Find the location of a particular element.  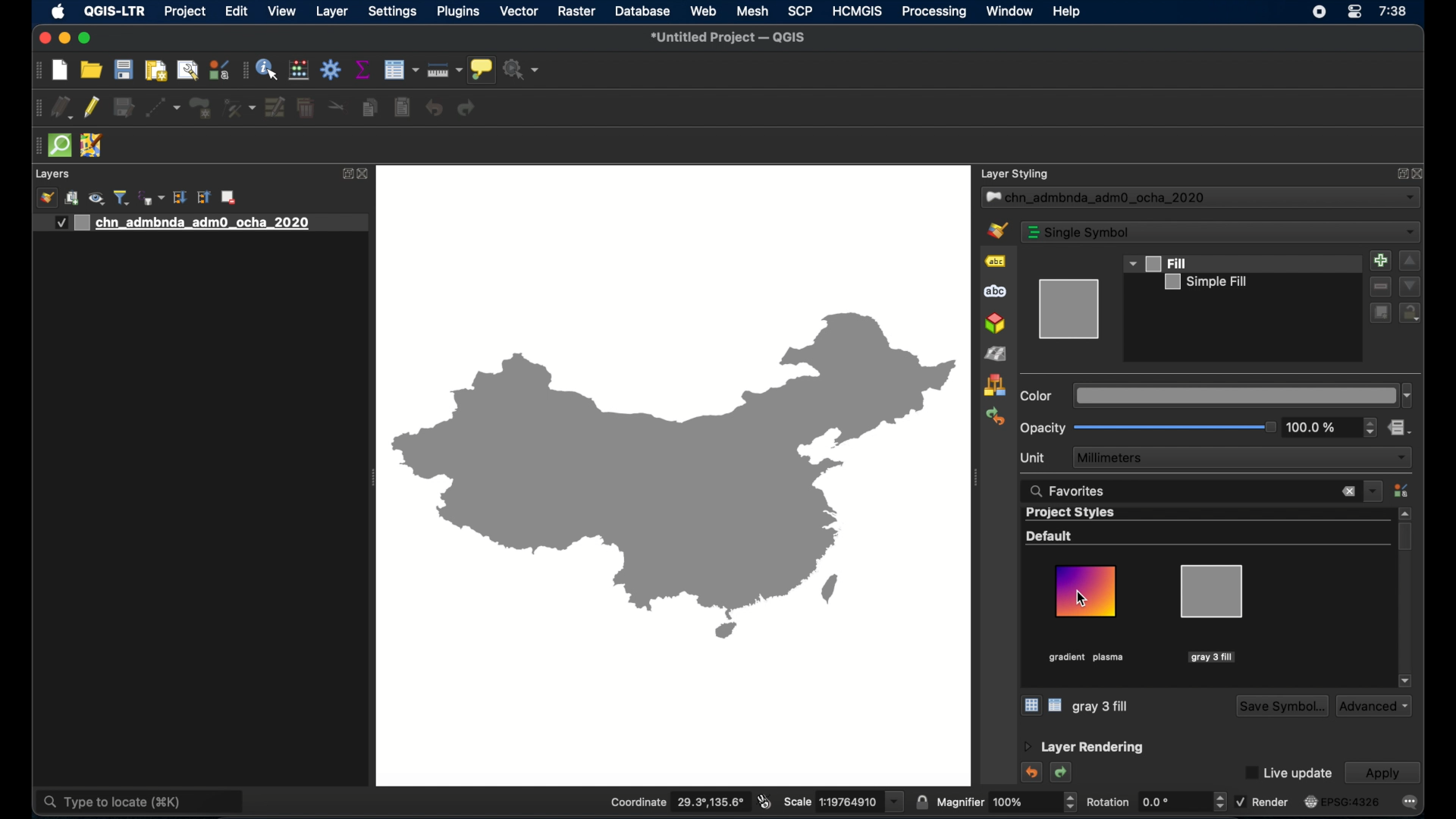

plugins is located at coordinates (460, 11).